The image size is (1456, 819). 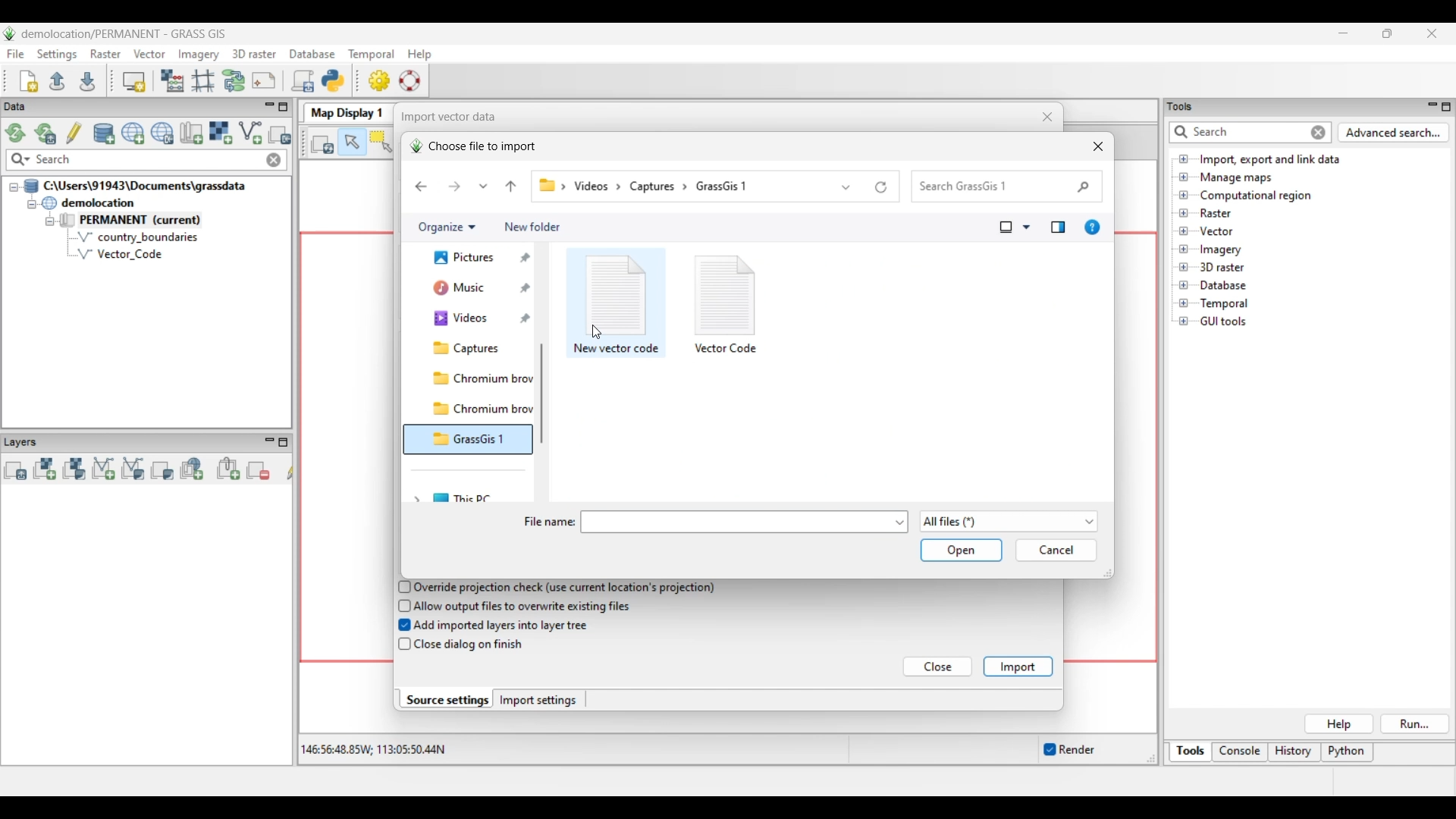 What do you see at coordinates (1056, 551) in the screenshot?
I see `Cancel inputs` at bounding box center [1056, 551].